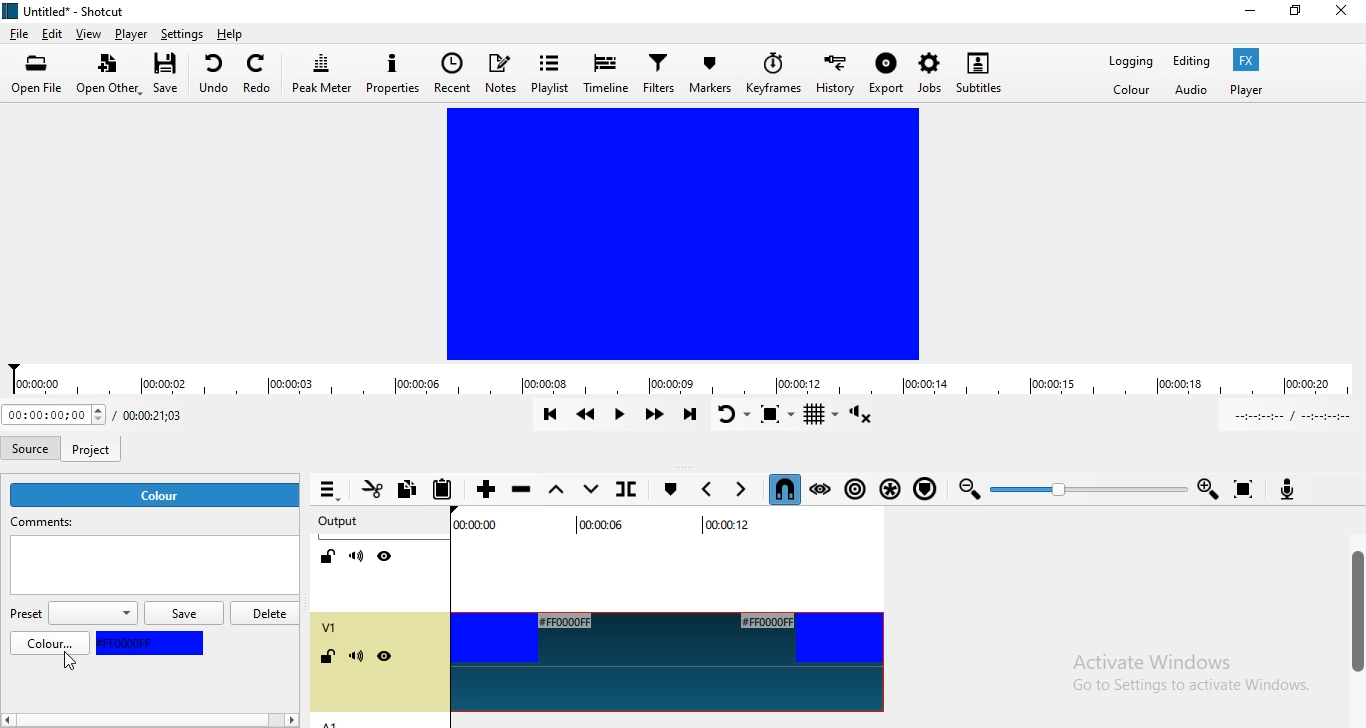 This screenshot has width=1366, height=728. Describe the element at coordinates (371, 492) in the screenshot. I see `Cut` at that location.